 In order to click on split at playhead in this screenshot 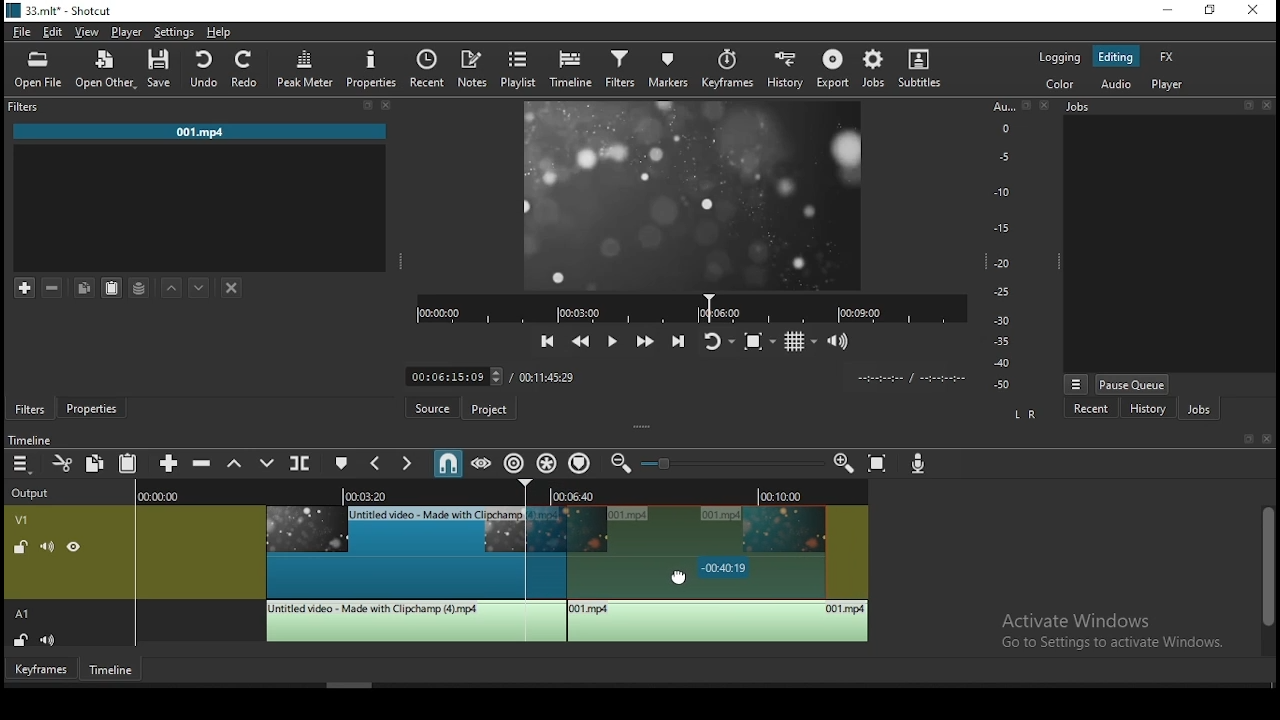, I will do `click(427, 66)`.